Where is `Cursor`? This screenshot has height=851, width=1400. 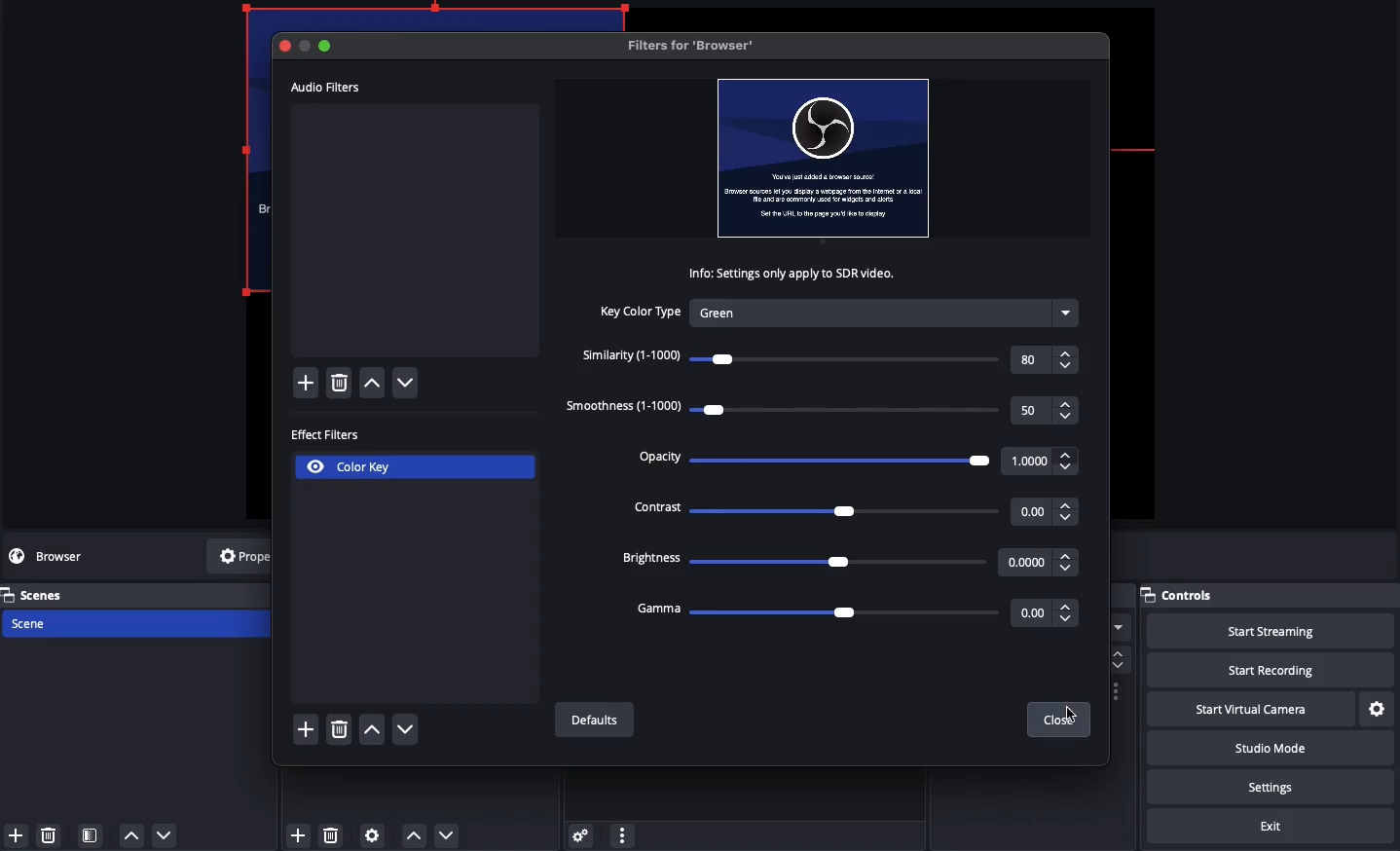
Cursor is located at coordinates (1073, 710).